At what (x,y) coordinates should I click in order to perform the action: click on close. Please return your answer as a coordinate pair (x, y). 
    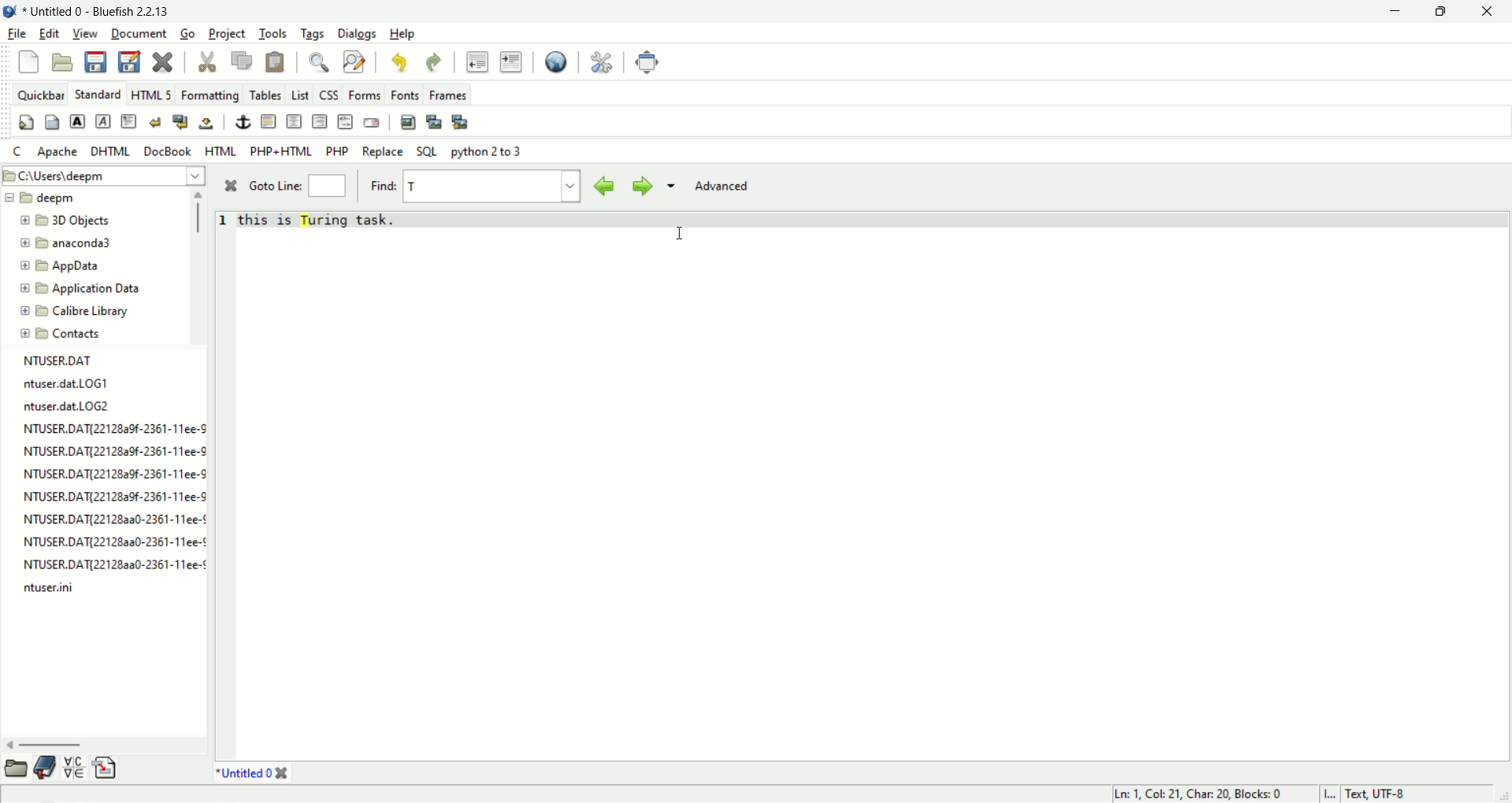
    Looking at the image, I should click on (282, 774).